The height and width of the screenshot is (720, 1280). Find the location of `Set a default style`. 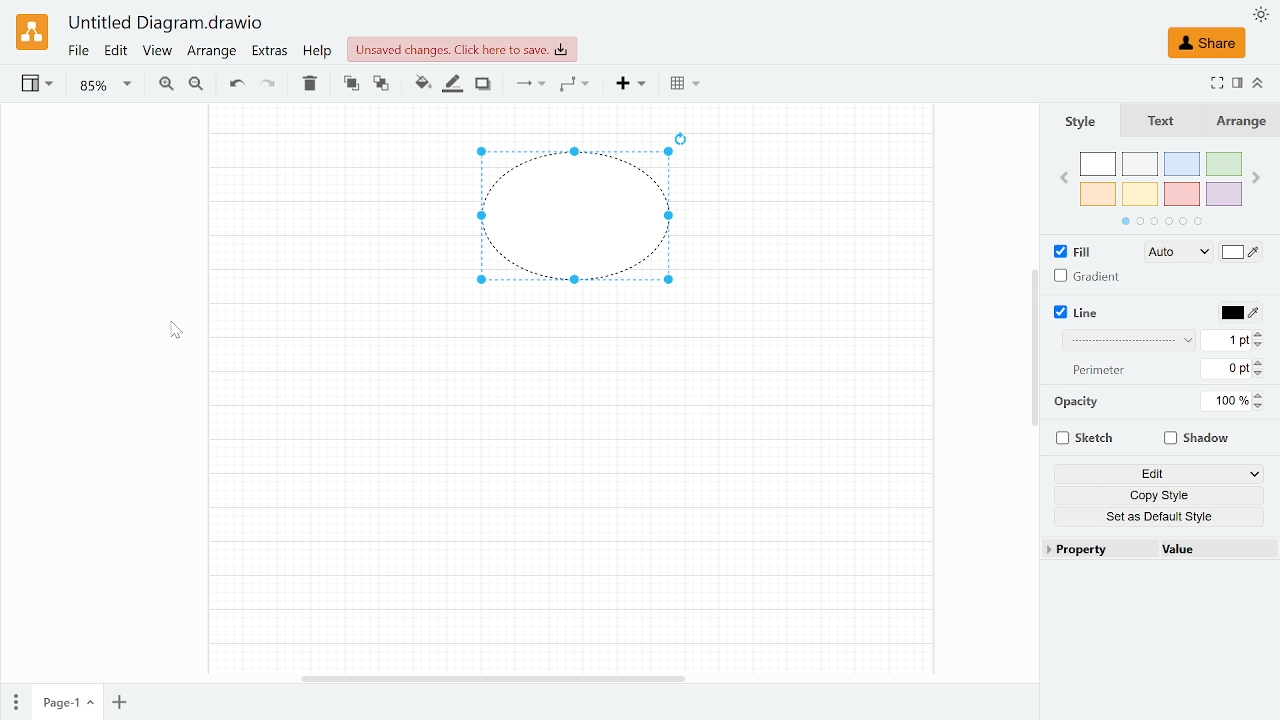

Set a default style is located at coordinates (1163, 516).